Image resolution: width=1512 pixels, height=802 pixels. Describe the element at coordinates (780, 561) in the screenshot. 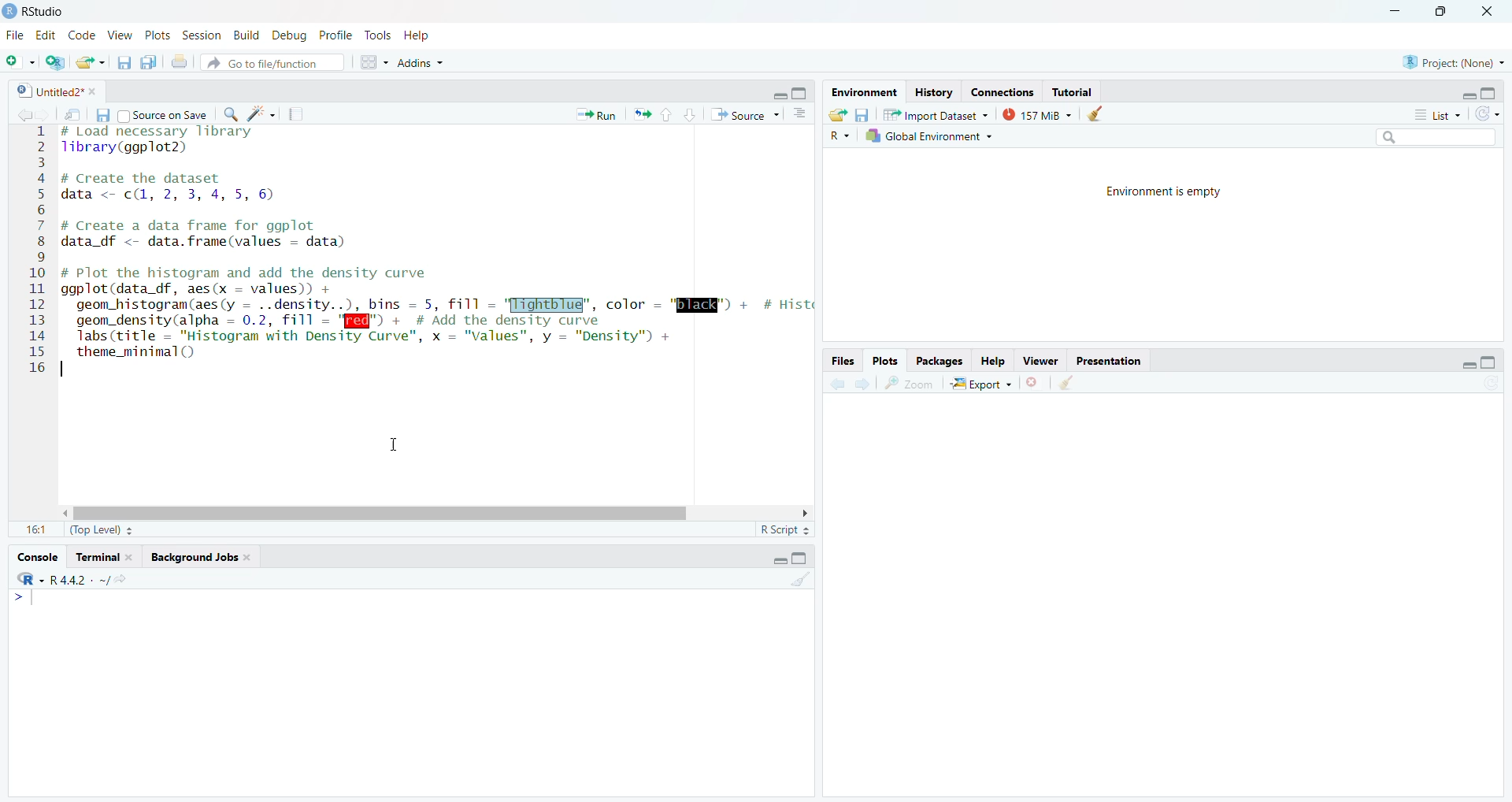

I see `minimize` at that location.